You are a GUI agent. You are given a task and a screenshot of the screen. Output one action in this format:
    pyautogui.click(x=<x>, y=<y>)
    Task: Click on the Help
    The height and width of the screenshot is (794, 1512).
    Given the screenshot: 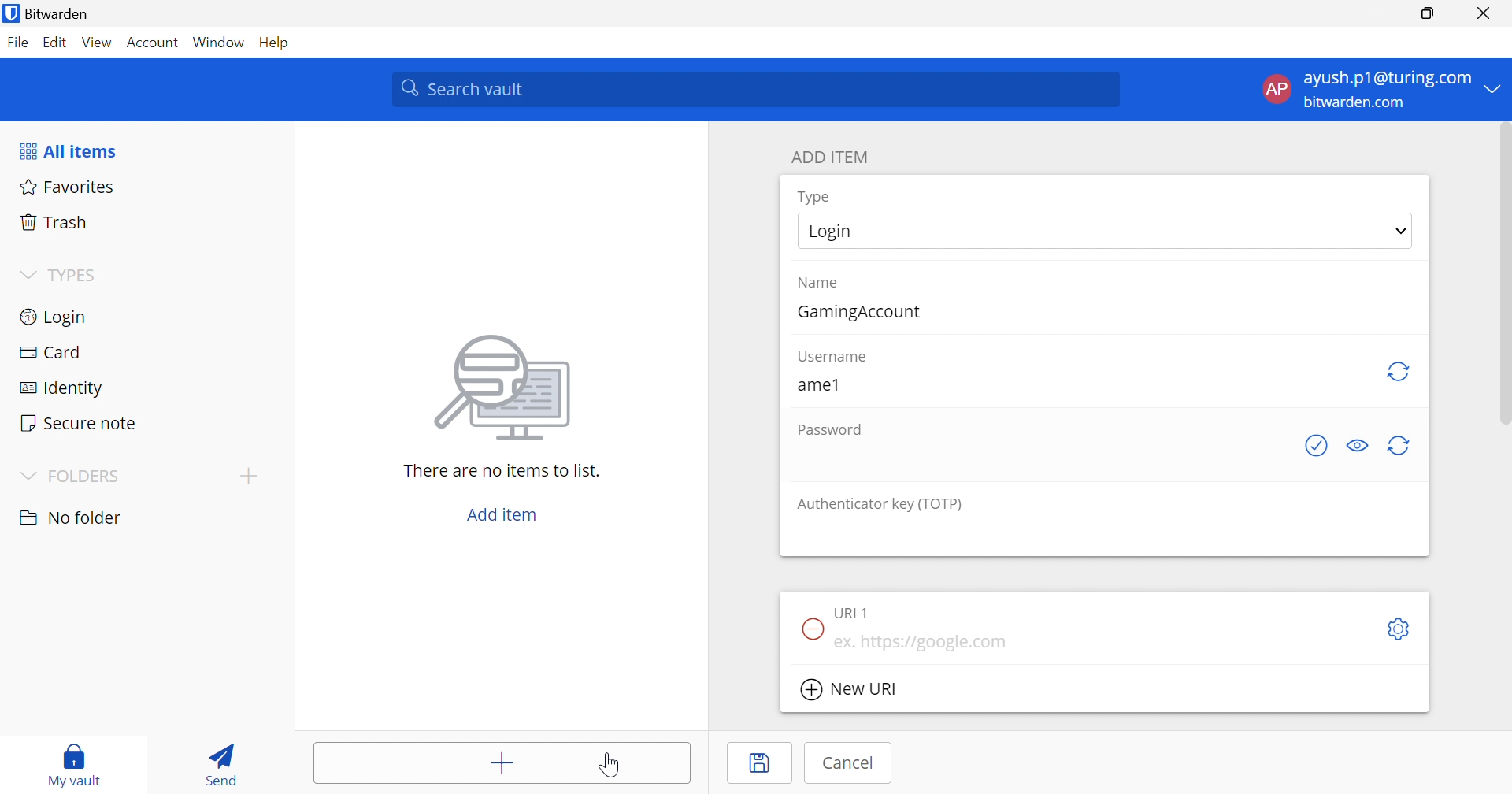 What is the action you would take?
    pyautogui.click(x=273, y=43)
    